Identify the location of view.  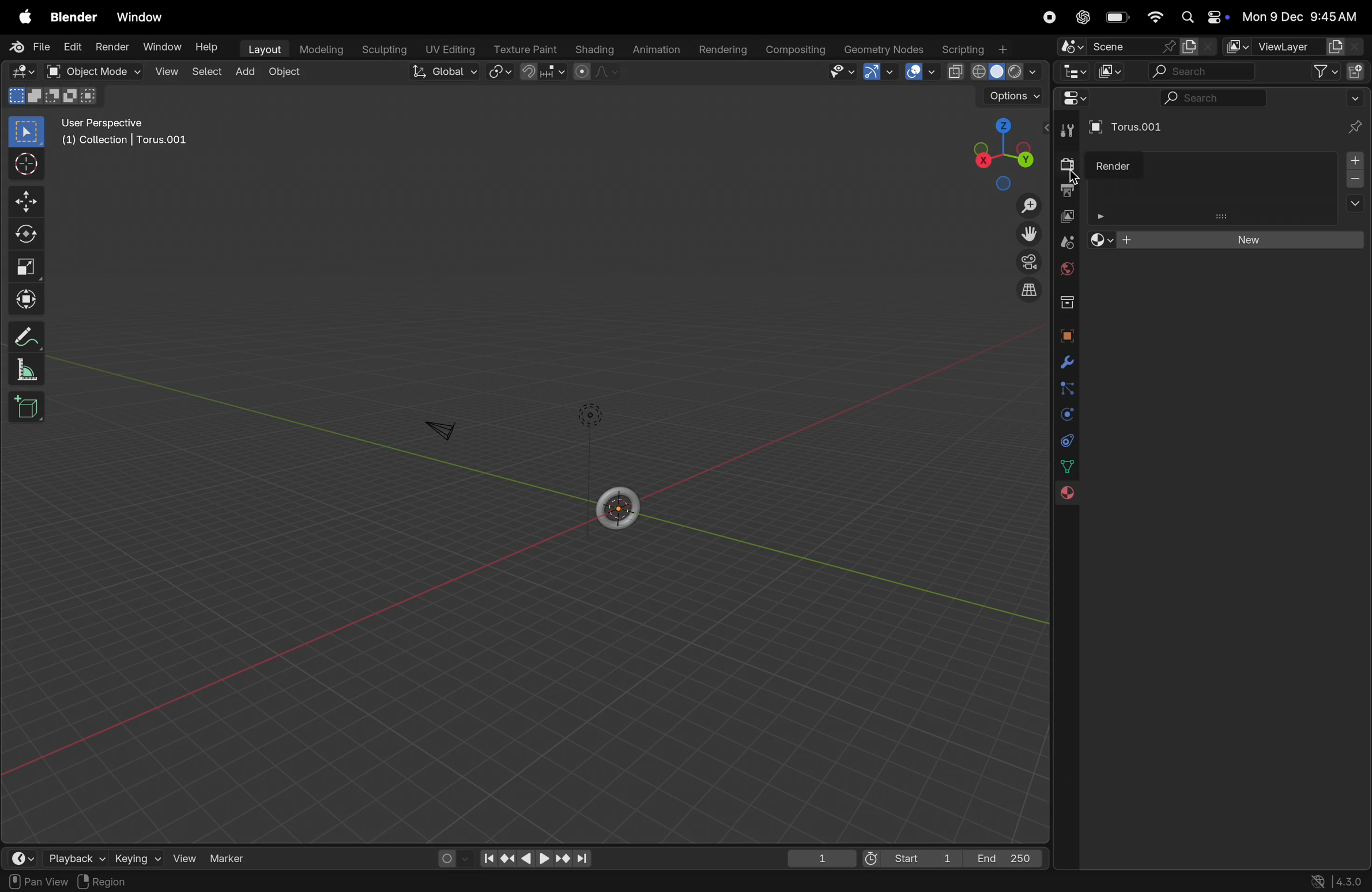
(846, 73).